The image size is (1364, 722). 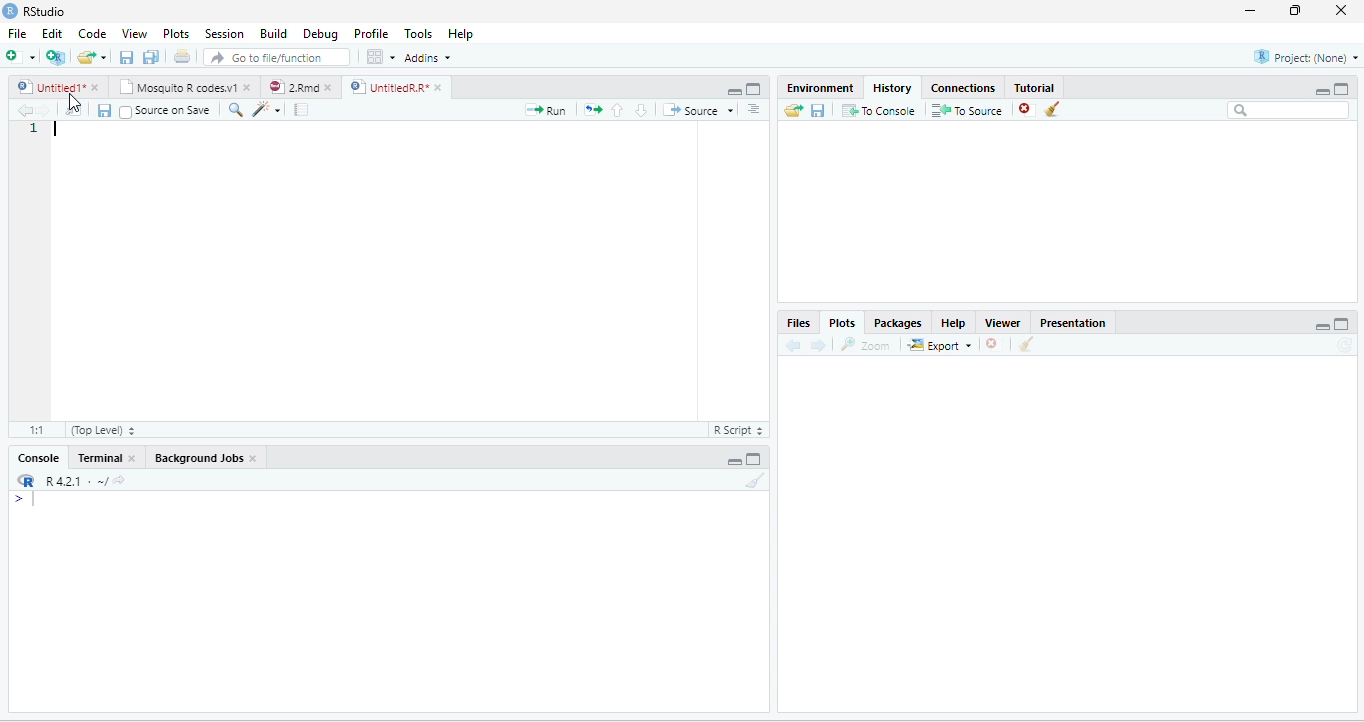 I want to click on close, so click(x=246, y=87).